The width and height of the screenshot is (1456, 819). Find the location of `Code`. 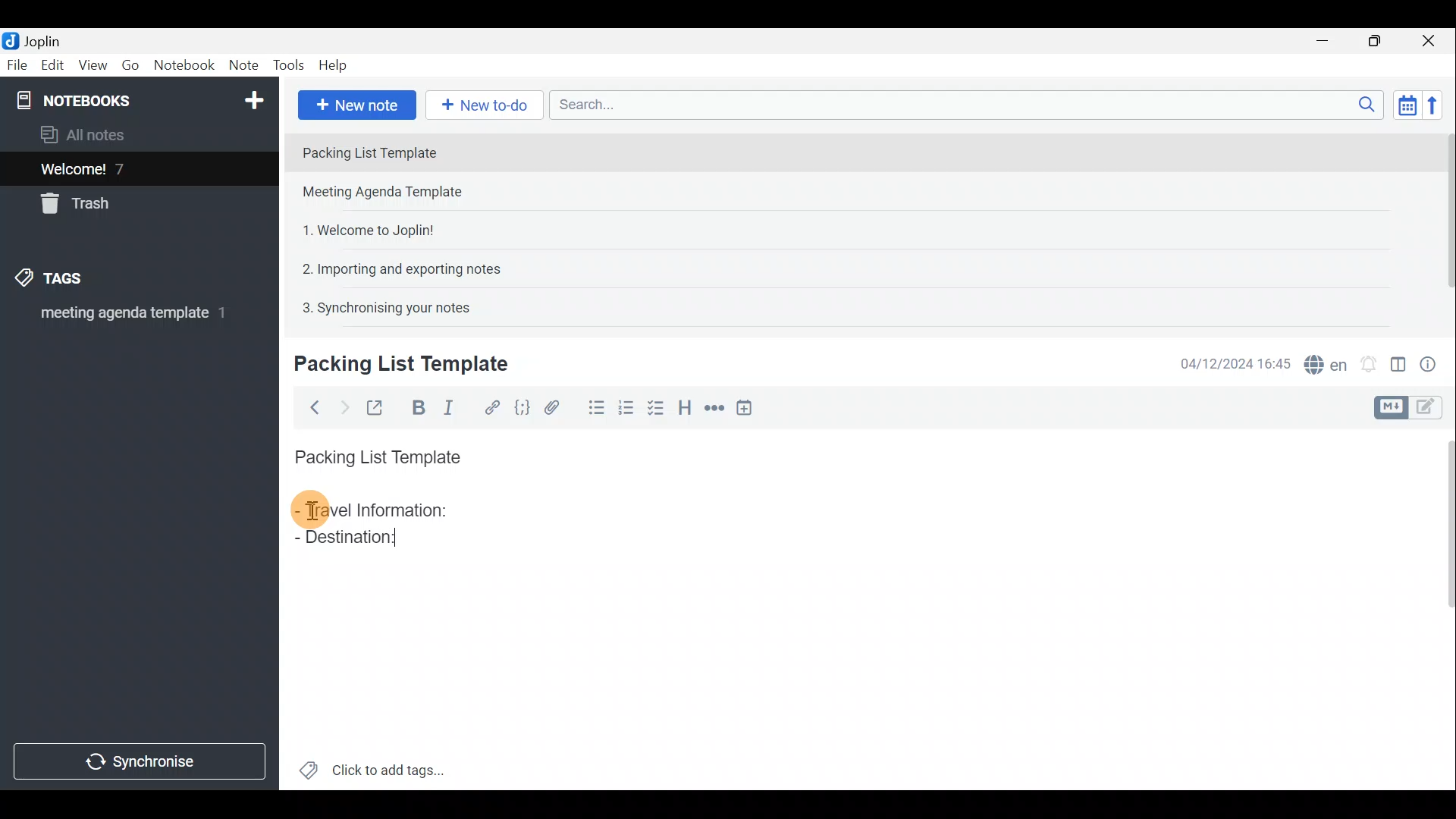

Code is located at coordinates (522, 406).